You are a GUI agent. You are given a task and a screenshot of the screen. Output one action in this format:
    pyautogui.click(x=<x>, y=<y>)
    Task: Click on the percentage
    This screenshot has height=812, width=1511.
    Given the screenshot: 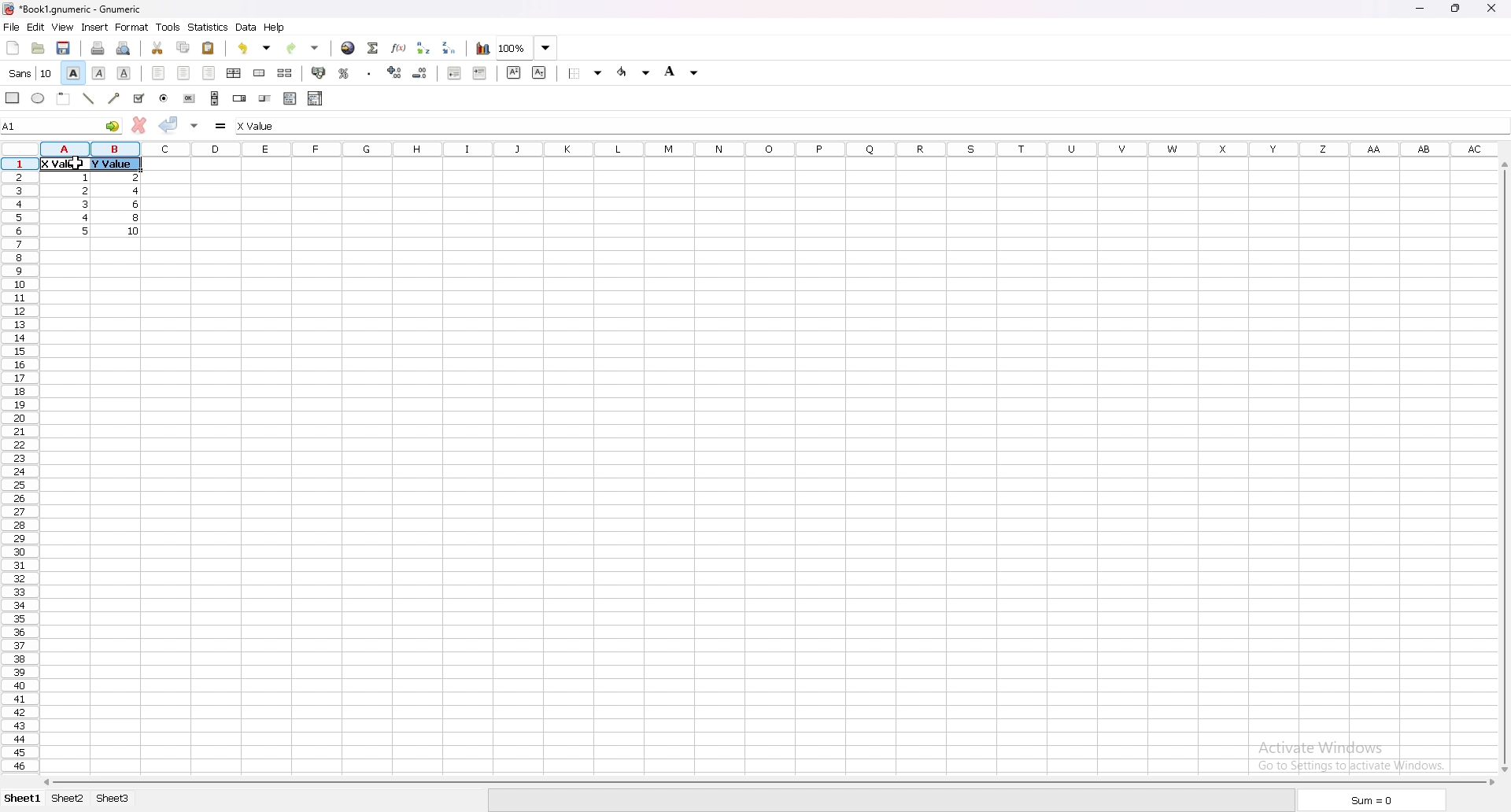 What is the action you would take?
    pyautogui.click(x=344, y=73)
    